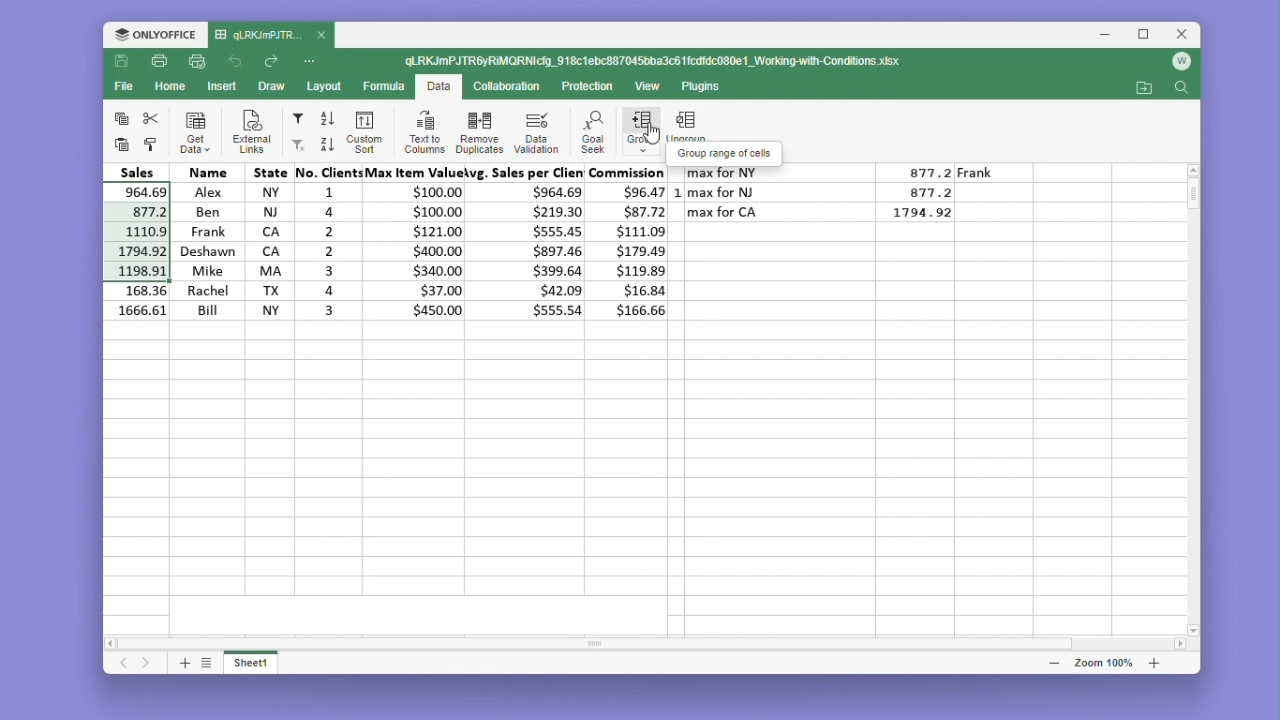  I want to click on Data validation, so click(536, 132).